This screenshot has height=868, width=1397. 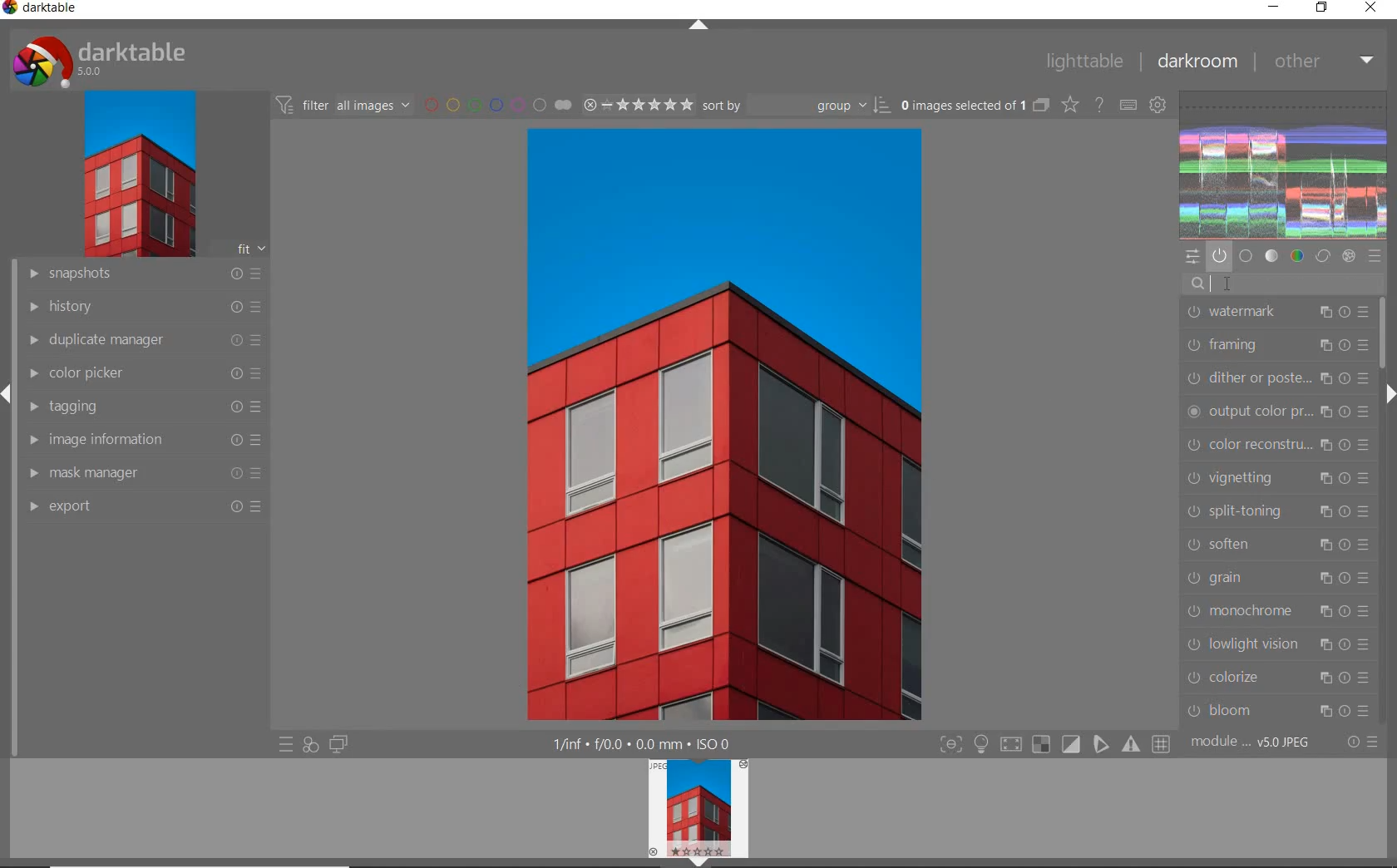 What do you see at coordinates (143, 440) in the screenshot?
I see `image information` at bounding box center [143, 440].